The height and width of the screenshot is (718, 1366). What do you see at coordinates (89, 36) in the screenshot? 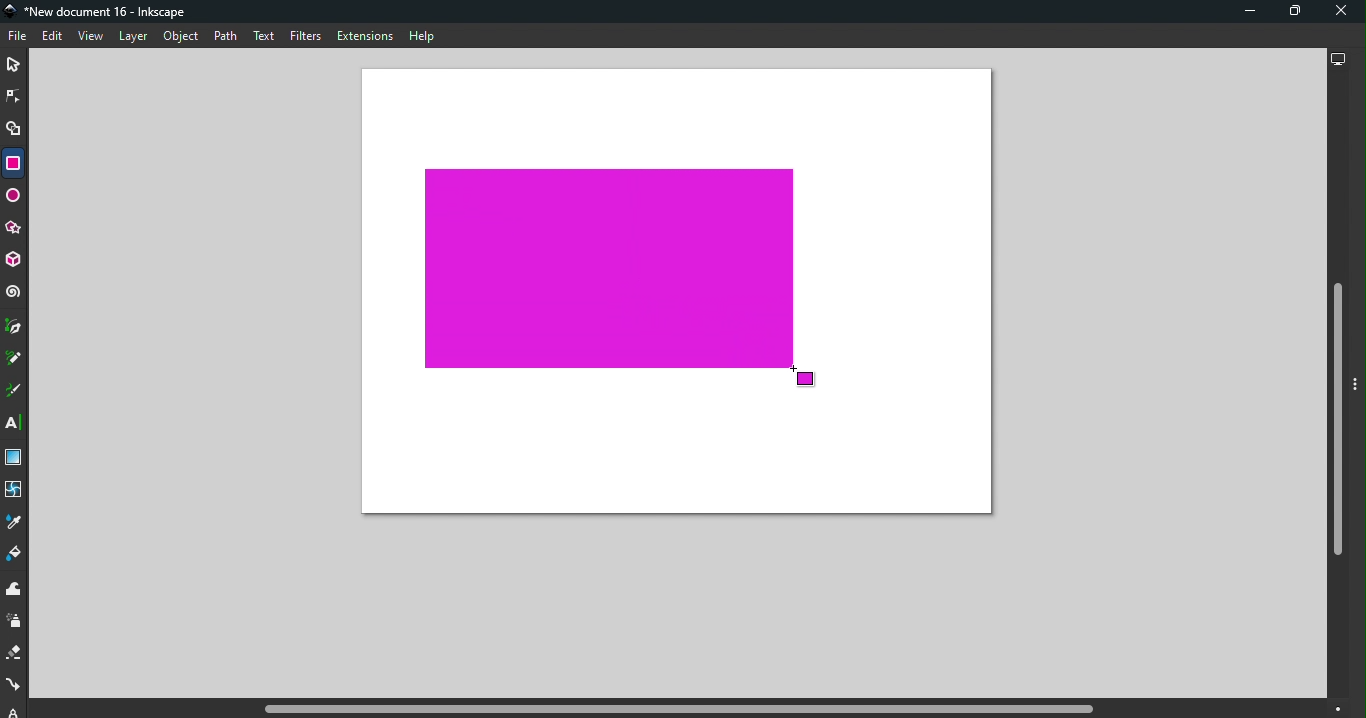
I see `View` at bounding box center [89, 36].